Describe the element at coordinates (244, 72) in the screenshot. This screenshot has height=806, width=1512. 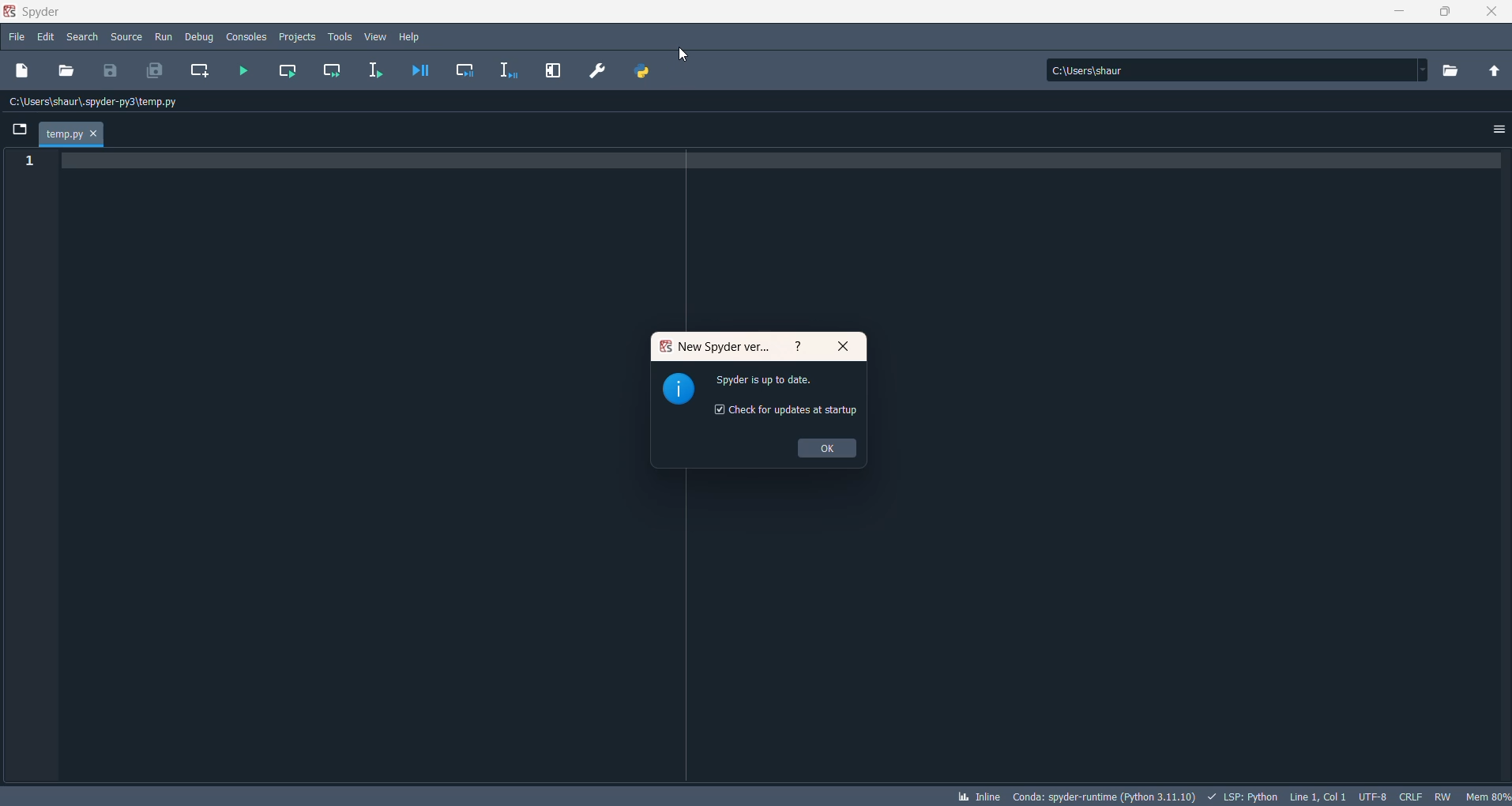
I see `run file` at that location.